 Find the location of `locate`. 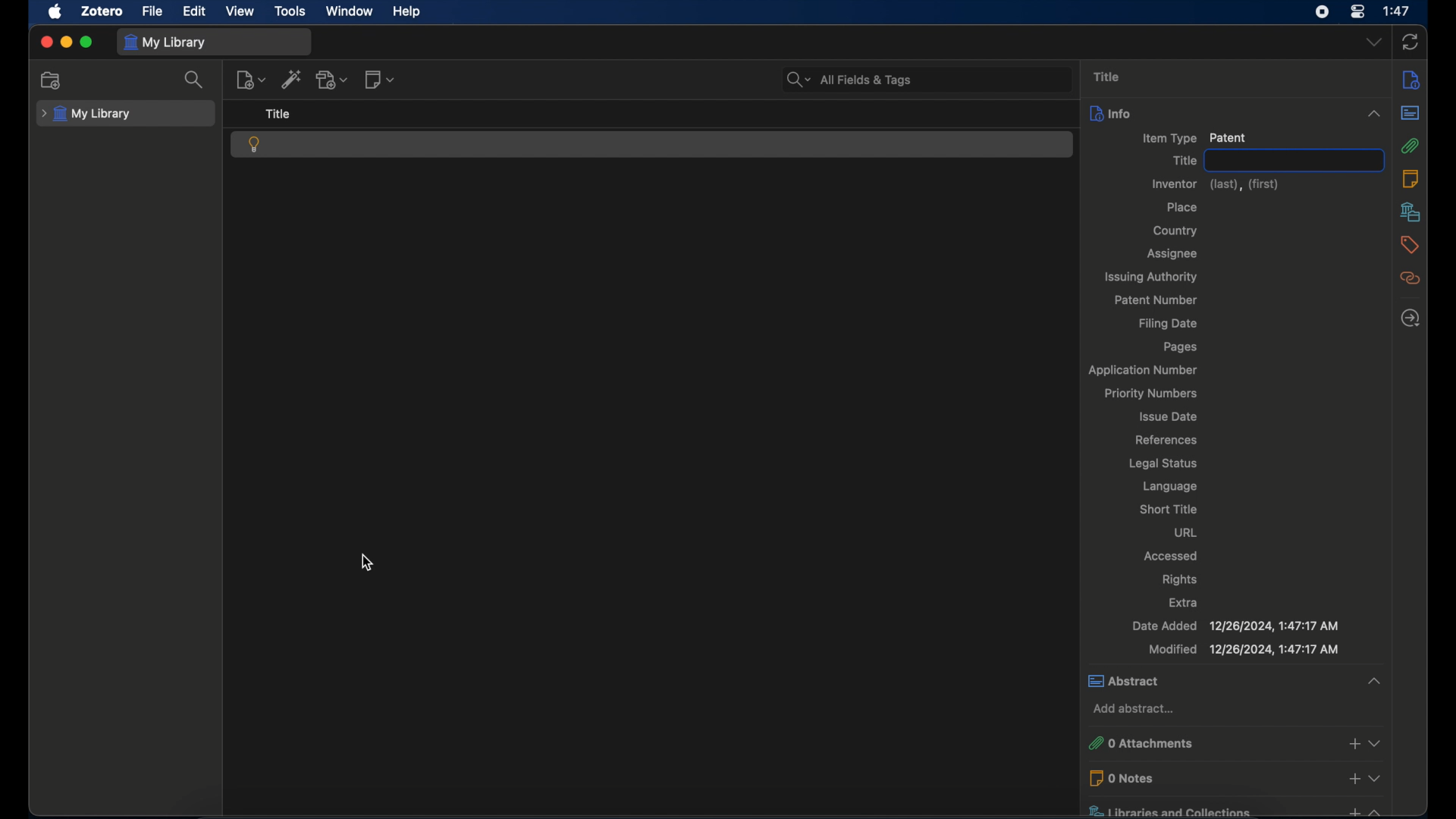

locate is located at coordinates (1410, 318).